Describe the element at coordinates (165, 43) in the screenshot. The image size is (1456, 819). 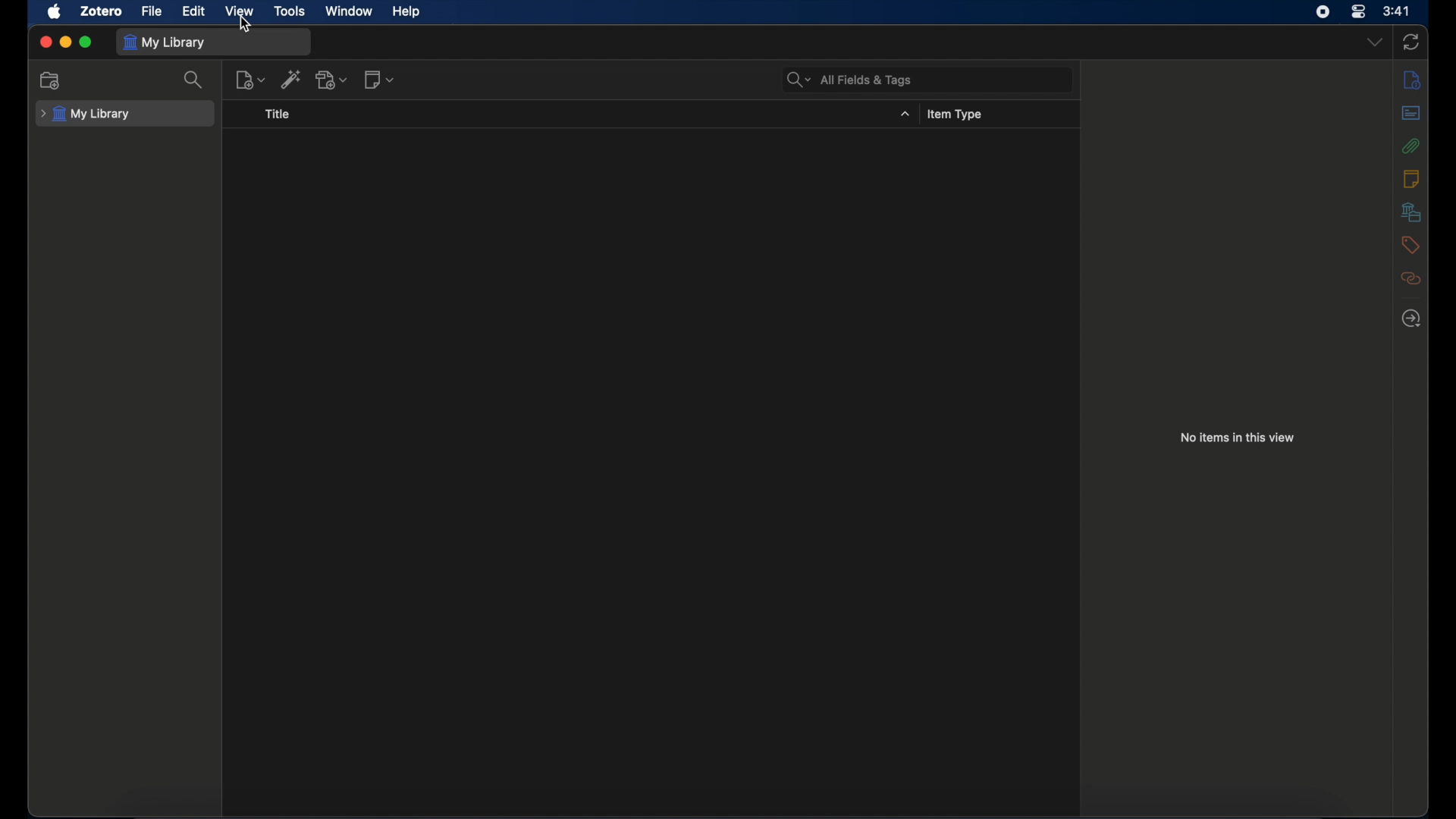
I see `my library` at that location.